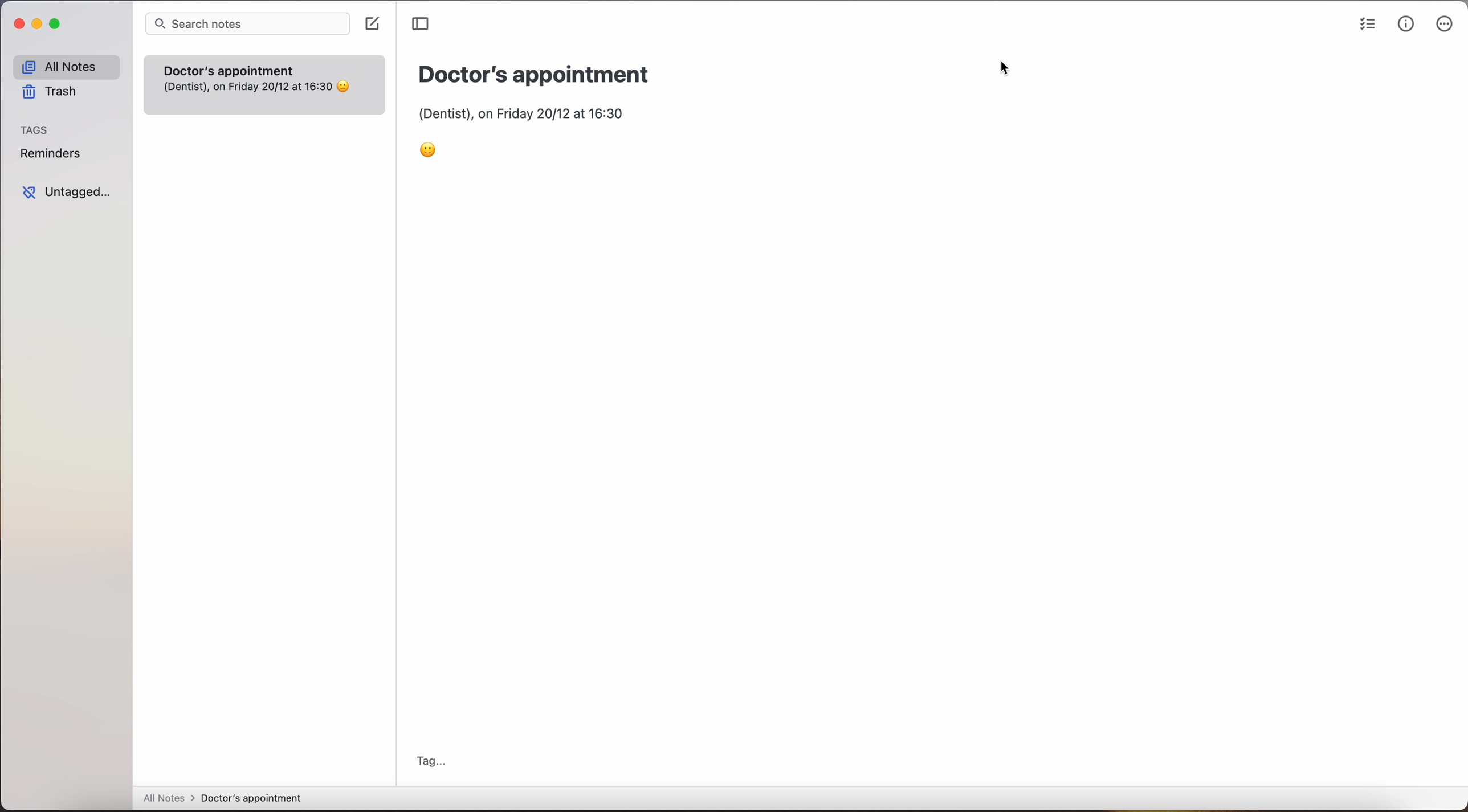 This screenshot has width=1468, height=812. Describe the element at coordinates (430, 761) in the screenshot. I see `tag` at that location.